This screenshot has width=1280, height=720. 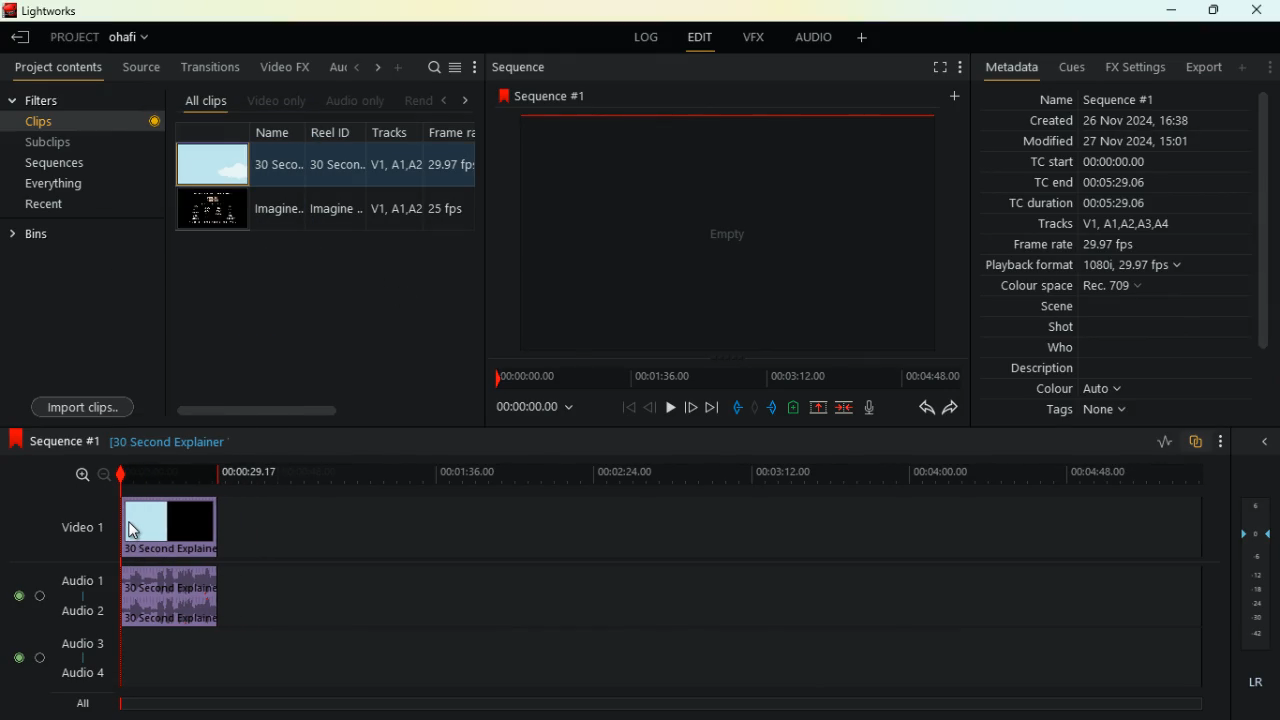 What do you see at coordinates (952, 99) in the screenshot?
I see `add` at bounding box center [952, 99].